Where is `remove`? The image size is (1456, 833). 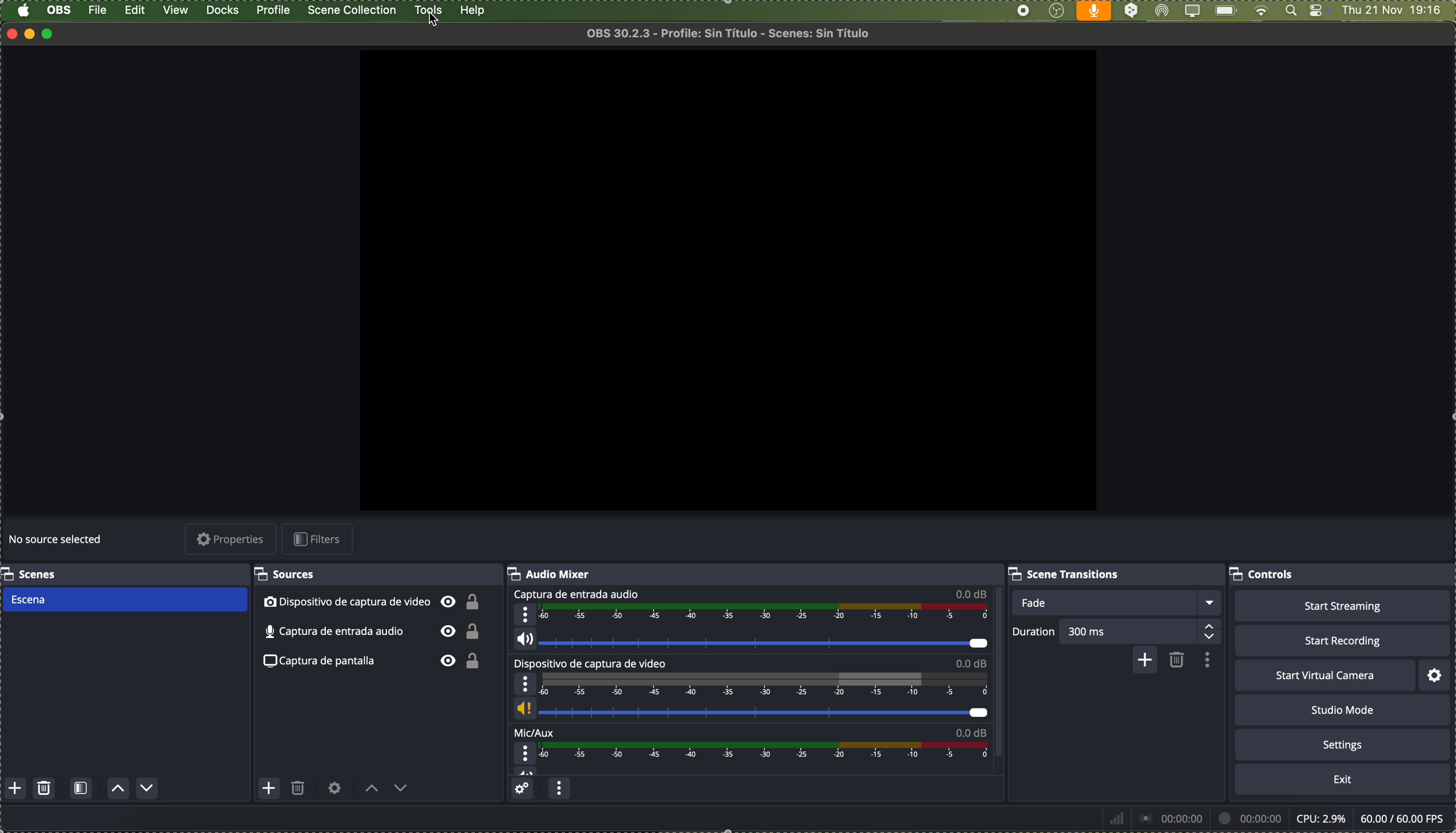 remove is located at coordinates (1177, 661).